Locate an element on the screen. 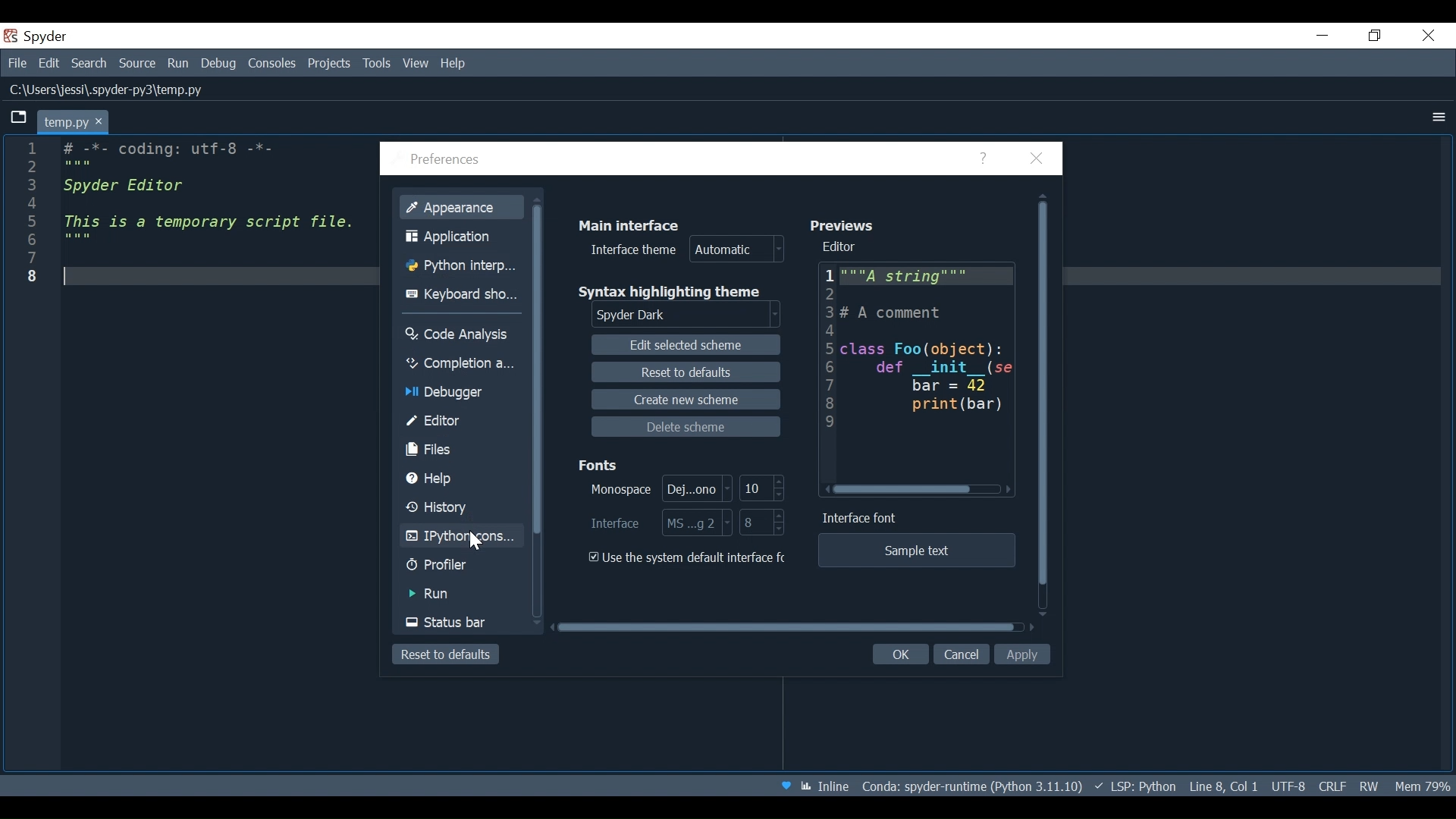 The width and height of the screenshot is (1456, 819). Select Interface Font is located at coordinates (659, 522).